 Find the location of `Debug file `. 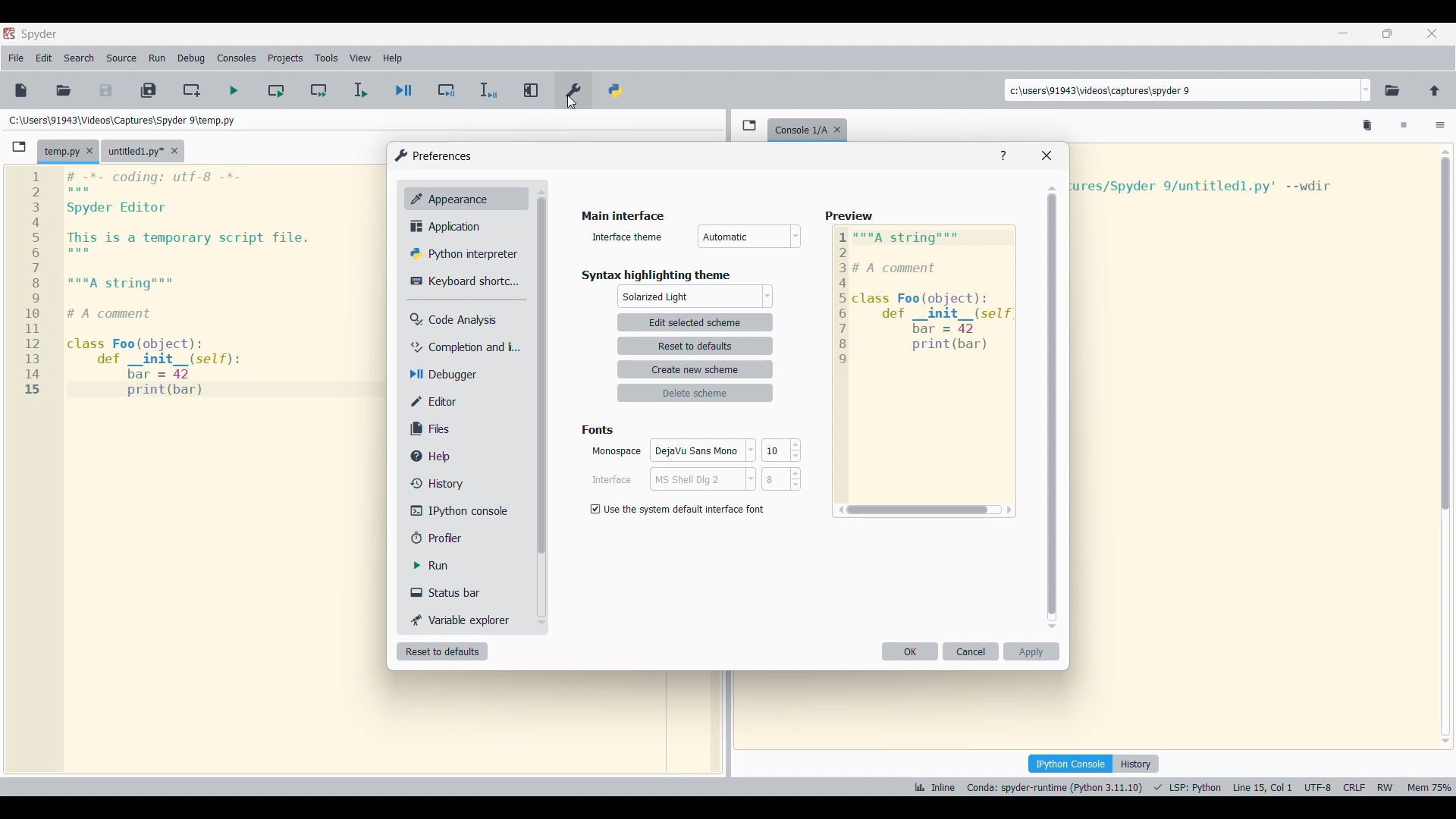

Debug file  is located at coordinates (405, 90).